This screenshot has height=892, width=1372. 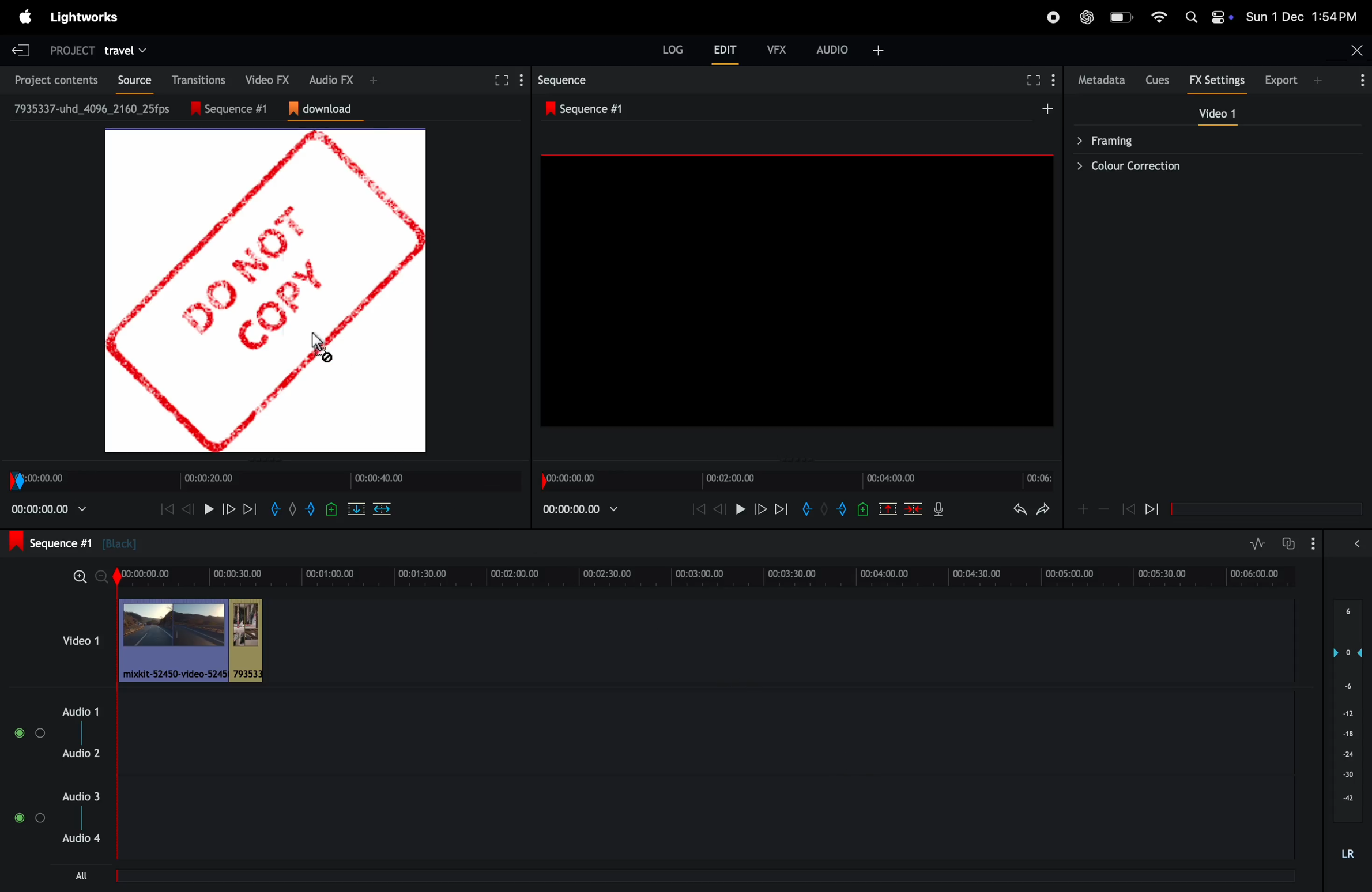 What do you see at coordinates (195, 80) in the screenshot?
I see `transitions` at bounding box center [195, 80].